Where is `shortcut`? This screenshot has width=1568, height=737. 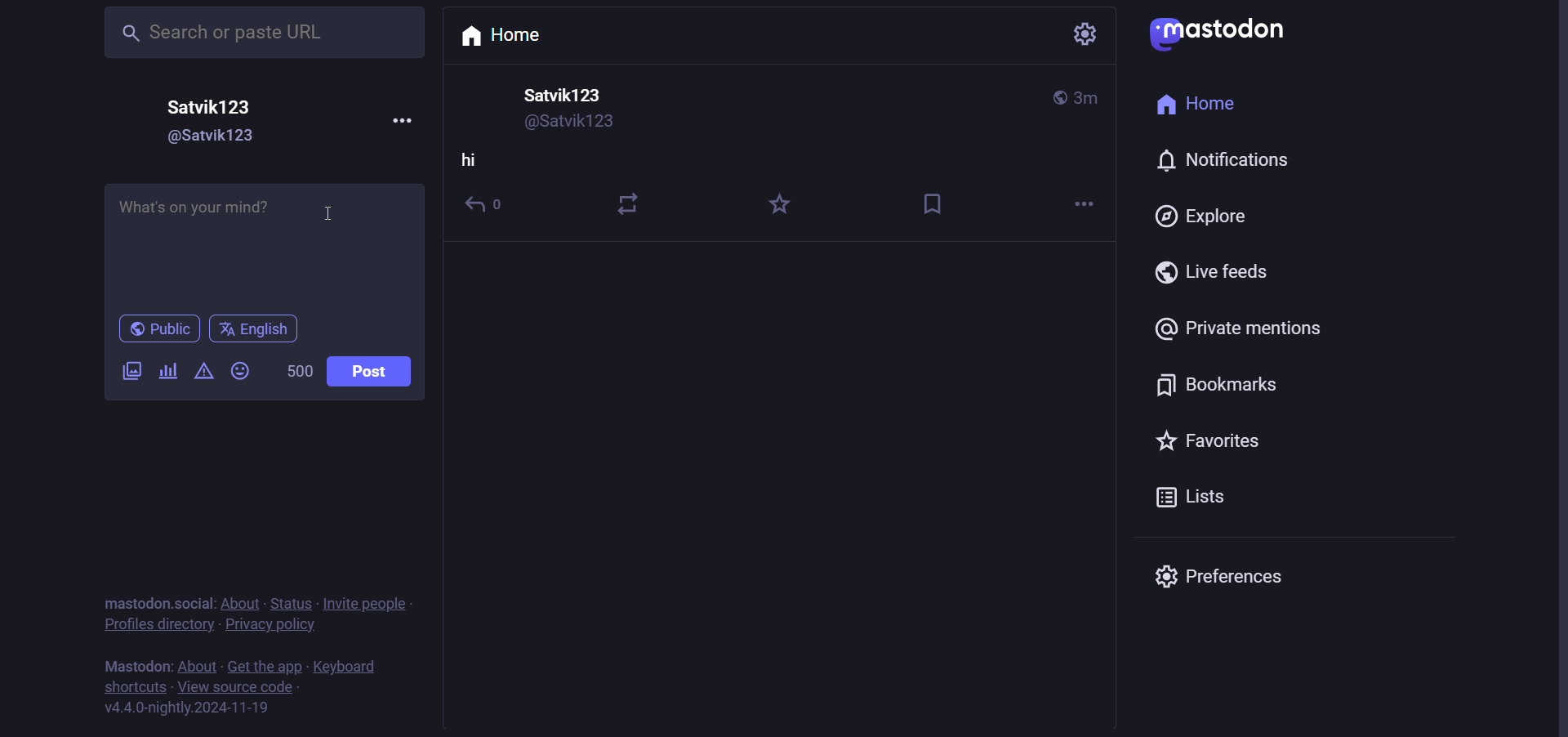 shortcut is located at coordinates (137, 689).